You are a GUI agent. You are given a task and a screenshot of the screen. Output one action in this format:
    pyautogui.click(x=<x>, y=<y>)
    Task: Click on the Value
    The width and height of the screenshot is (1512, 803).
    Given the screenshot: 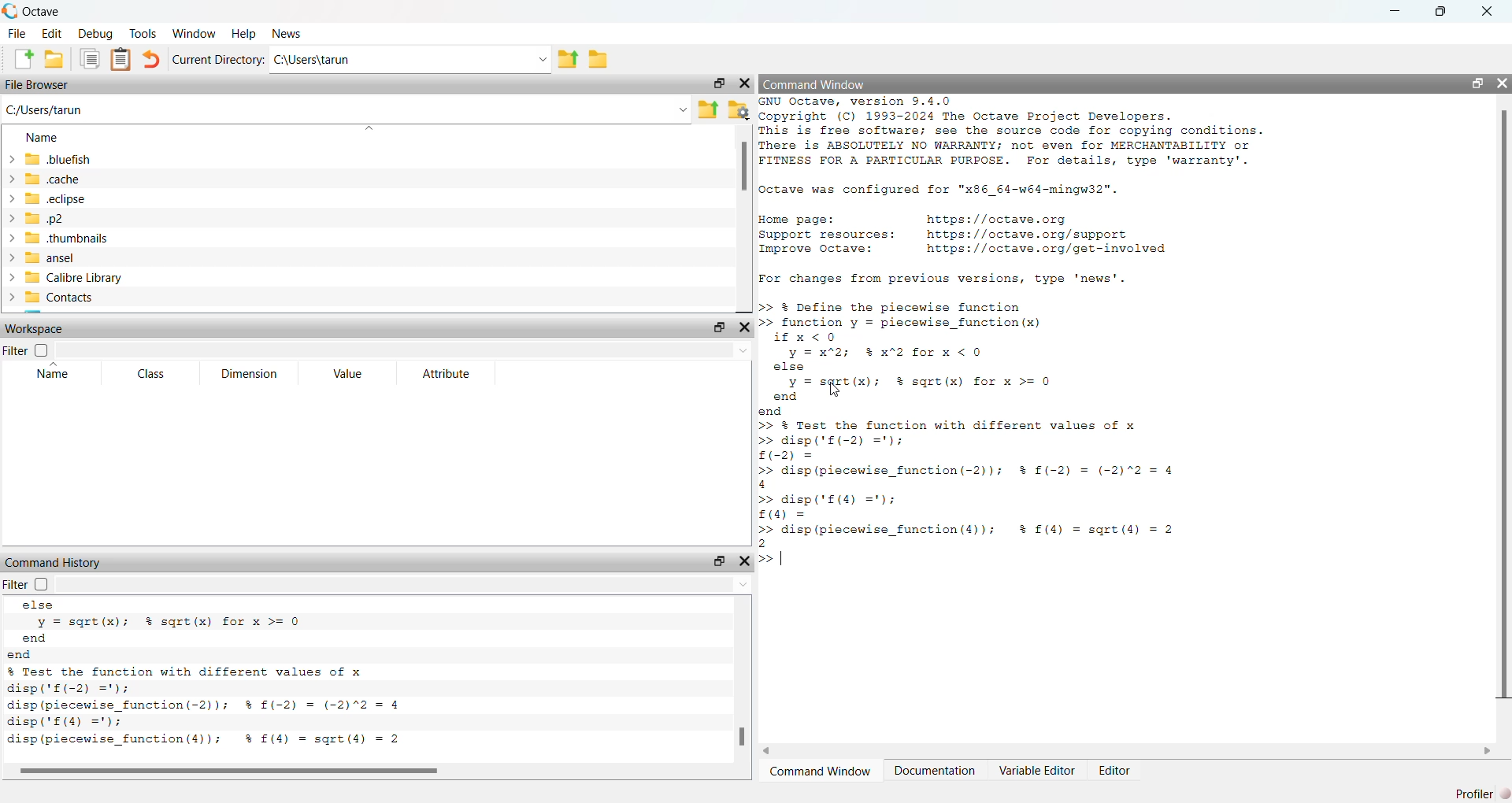 What is the action you would take?
    pyautogui.click(x=348, y=375)
    